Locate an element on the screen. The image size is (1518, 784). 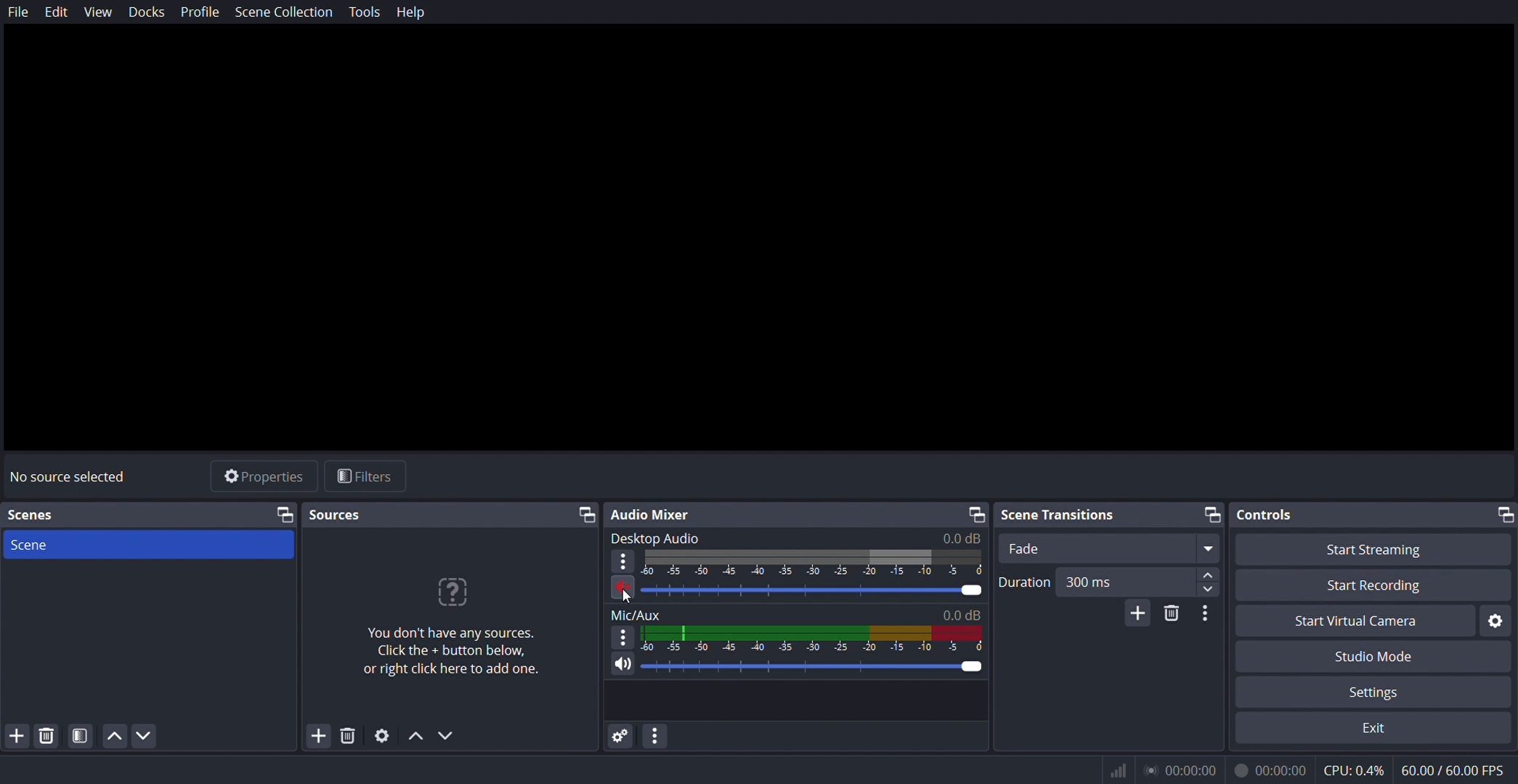
docks is located at coordinates (145, 12).